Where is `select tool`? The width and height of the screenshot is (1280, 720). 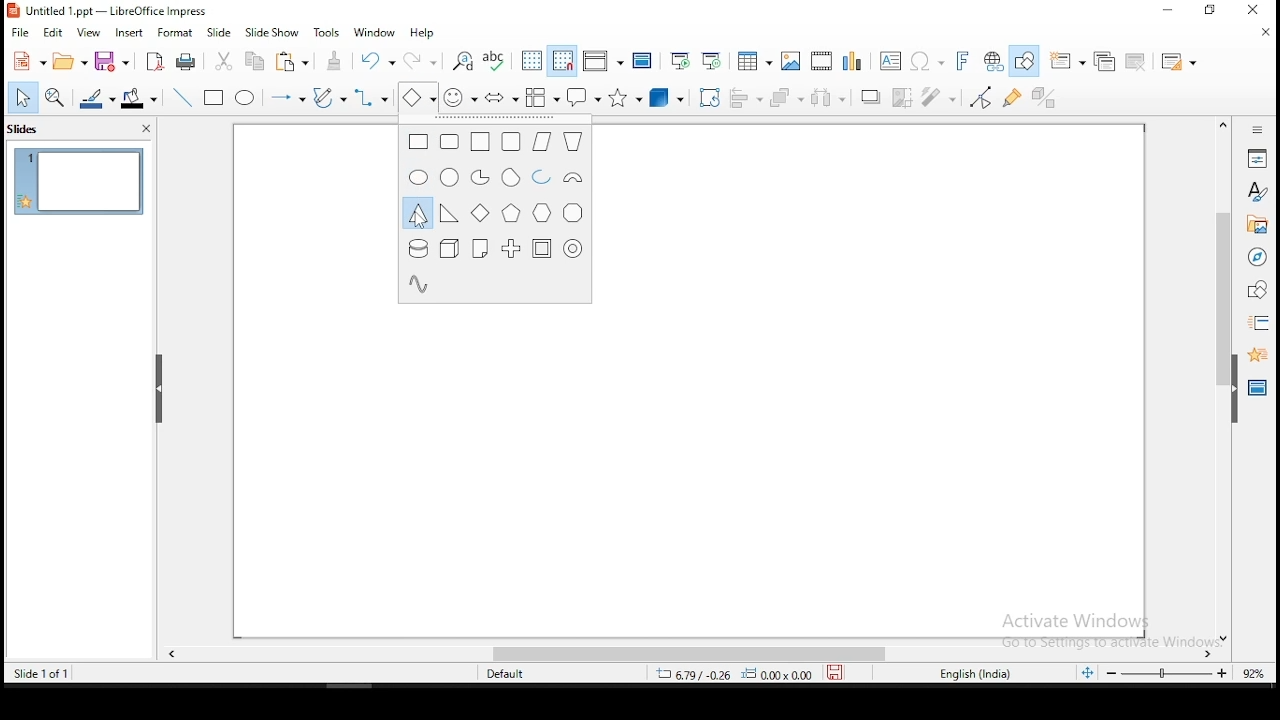
select tool is located at coordinates (22, 97).